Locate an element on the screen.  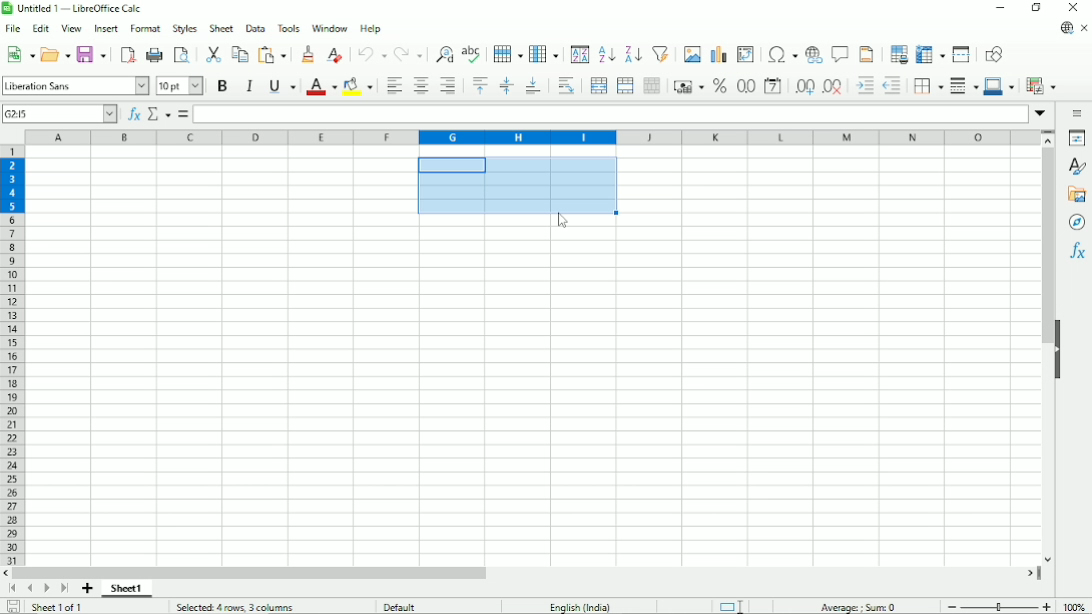
Language is located at coordinates (584, 605).